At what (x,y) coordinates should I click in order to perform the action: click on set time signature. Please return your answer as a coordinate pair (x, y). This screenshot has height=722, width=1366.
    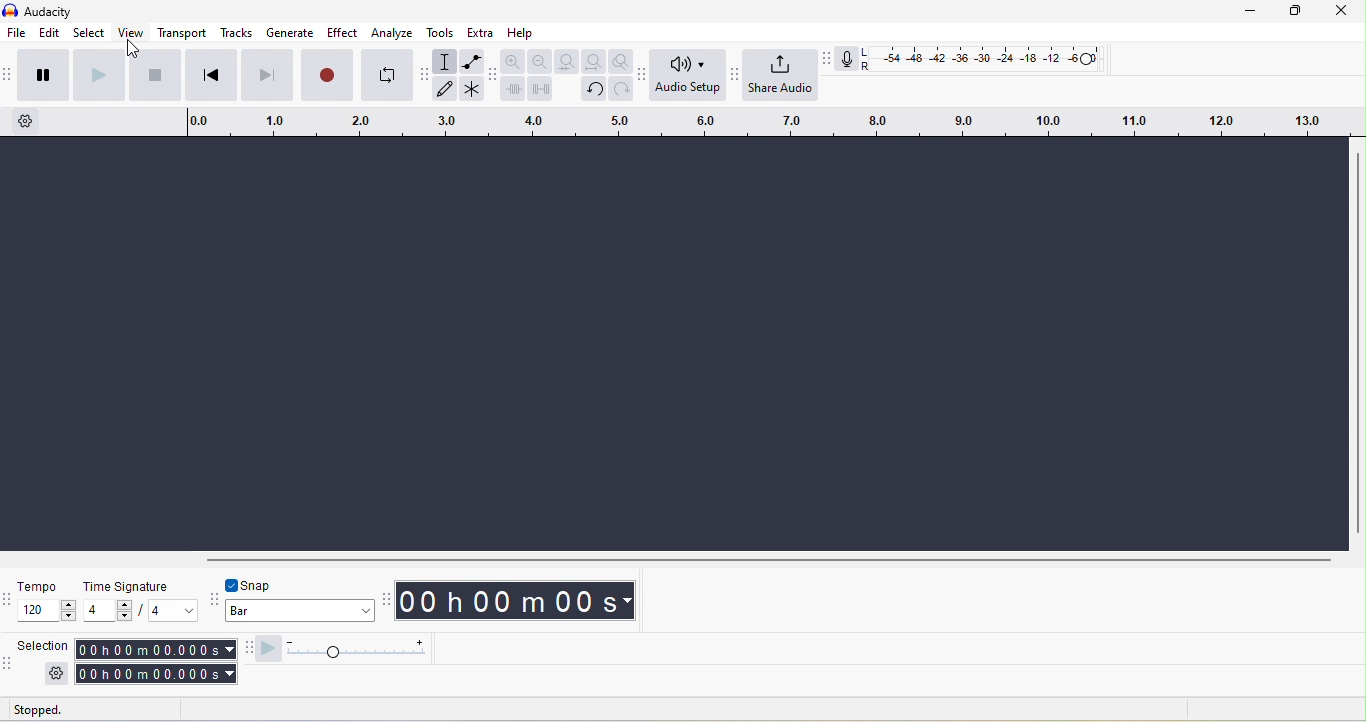
    Looking at the image, I should click on (108, 610).